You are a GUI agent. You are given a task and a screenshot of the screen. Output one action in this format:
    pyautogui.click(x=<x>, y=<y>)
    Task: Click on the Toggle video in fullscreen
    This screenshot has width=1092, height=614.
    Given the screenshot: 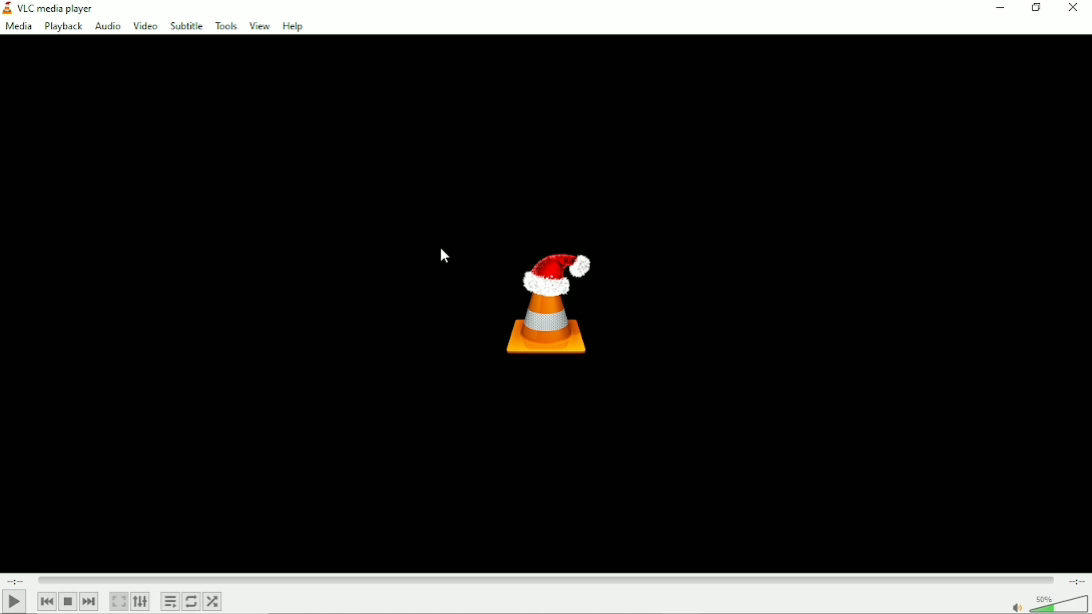 What is the action you would take?
    pyautogui.click(x=119, y=600)
    